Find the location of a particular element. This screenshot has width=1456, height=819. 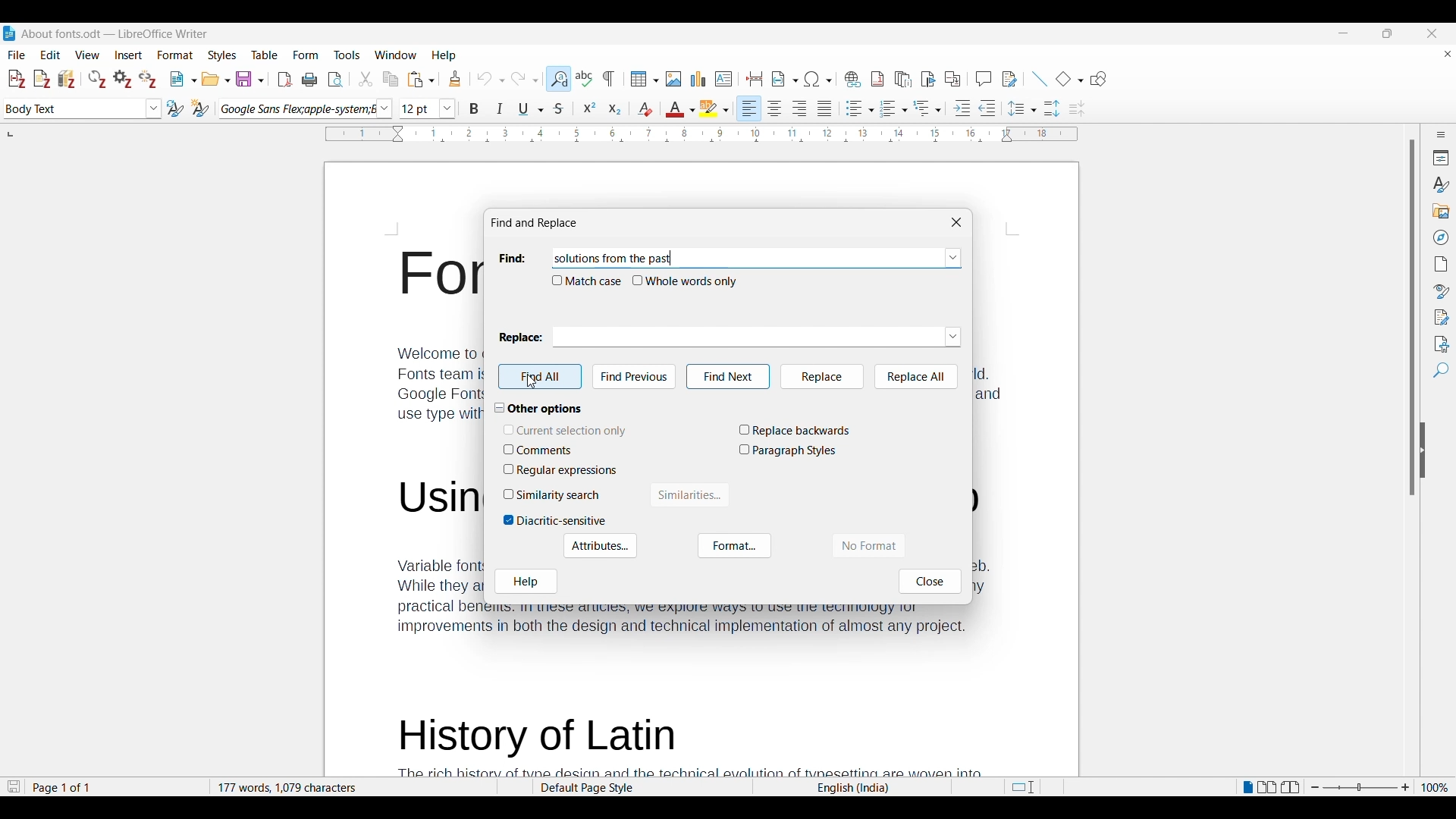

Insert bookmark is located at coordinates (928, 78).